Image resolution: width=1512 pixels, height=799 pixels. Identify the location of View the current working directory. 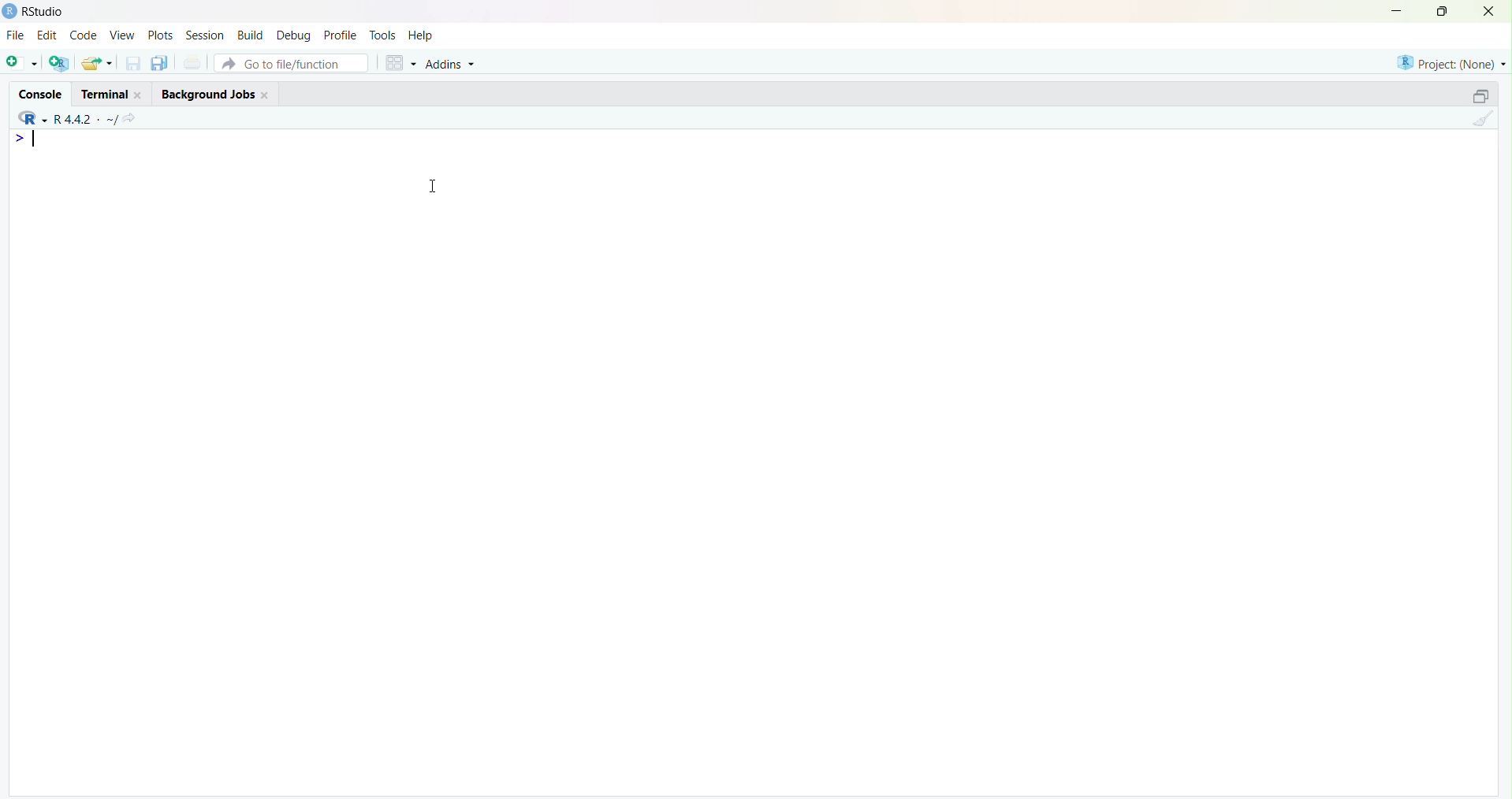
(136, 117).